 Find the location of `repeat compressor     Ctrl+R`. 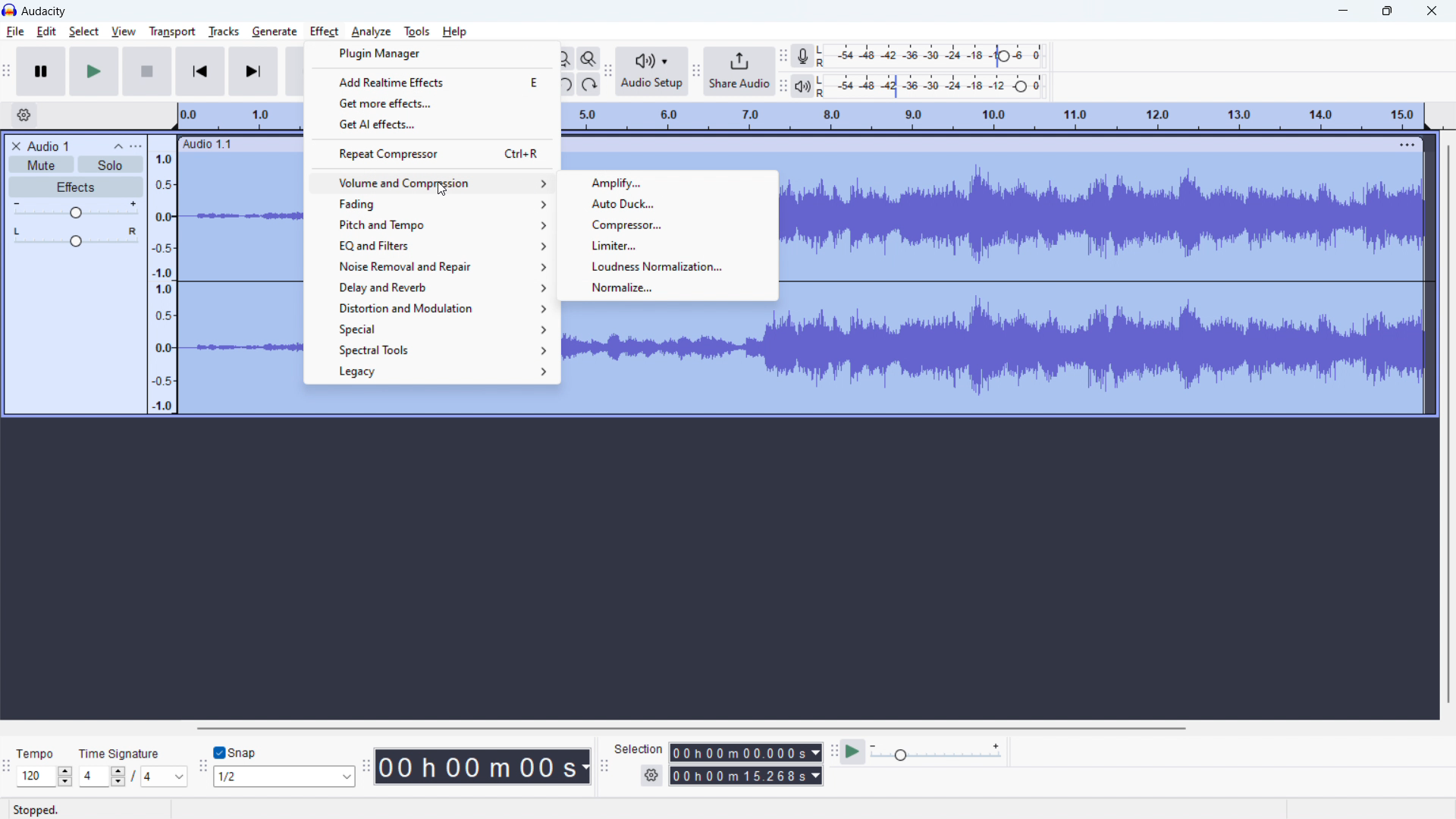

repeat compressor     Ctrl+R is located at coordinates (432, 153).